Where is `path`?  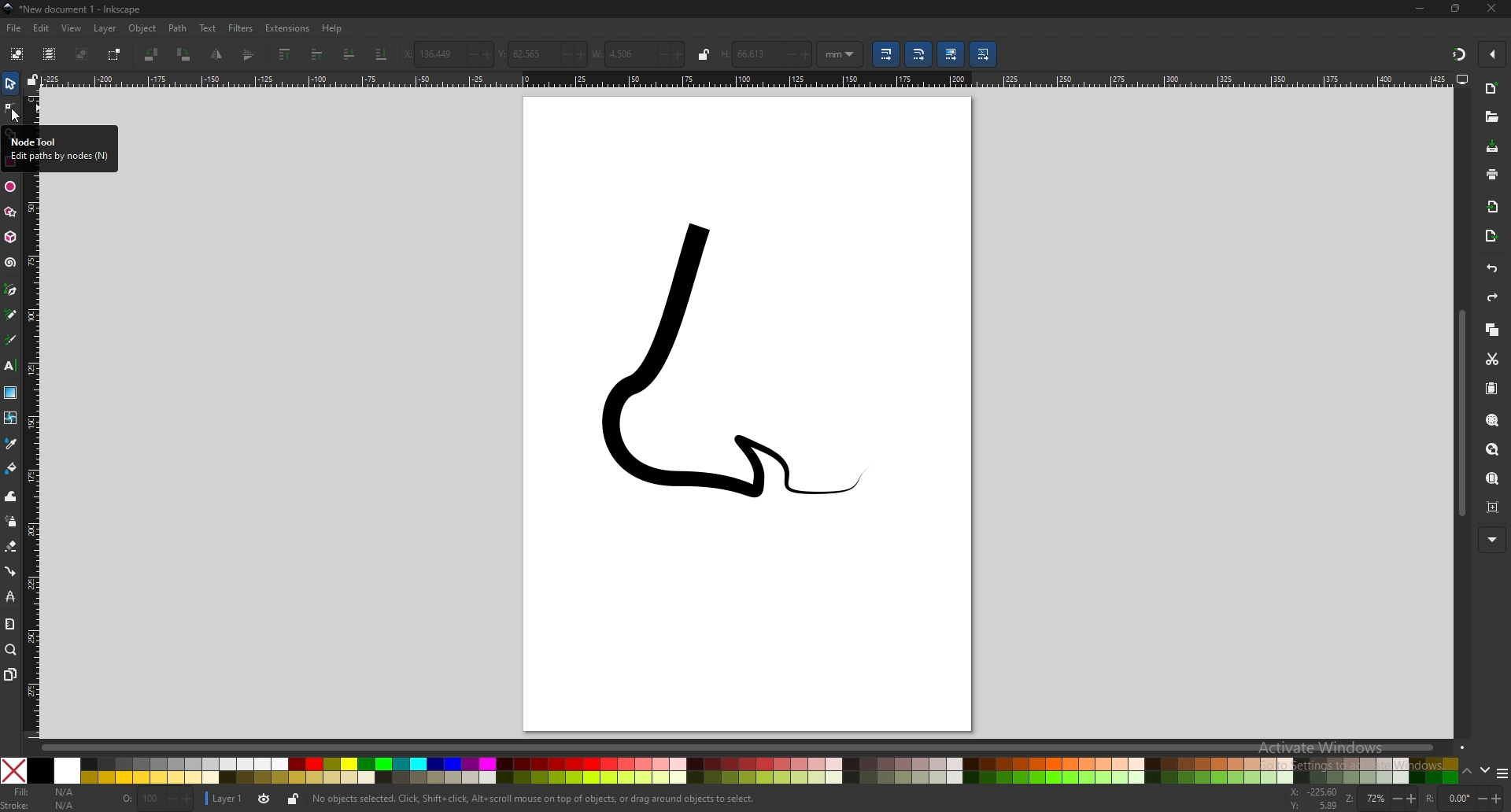
path is located at coordinates (179, 28).